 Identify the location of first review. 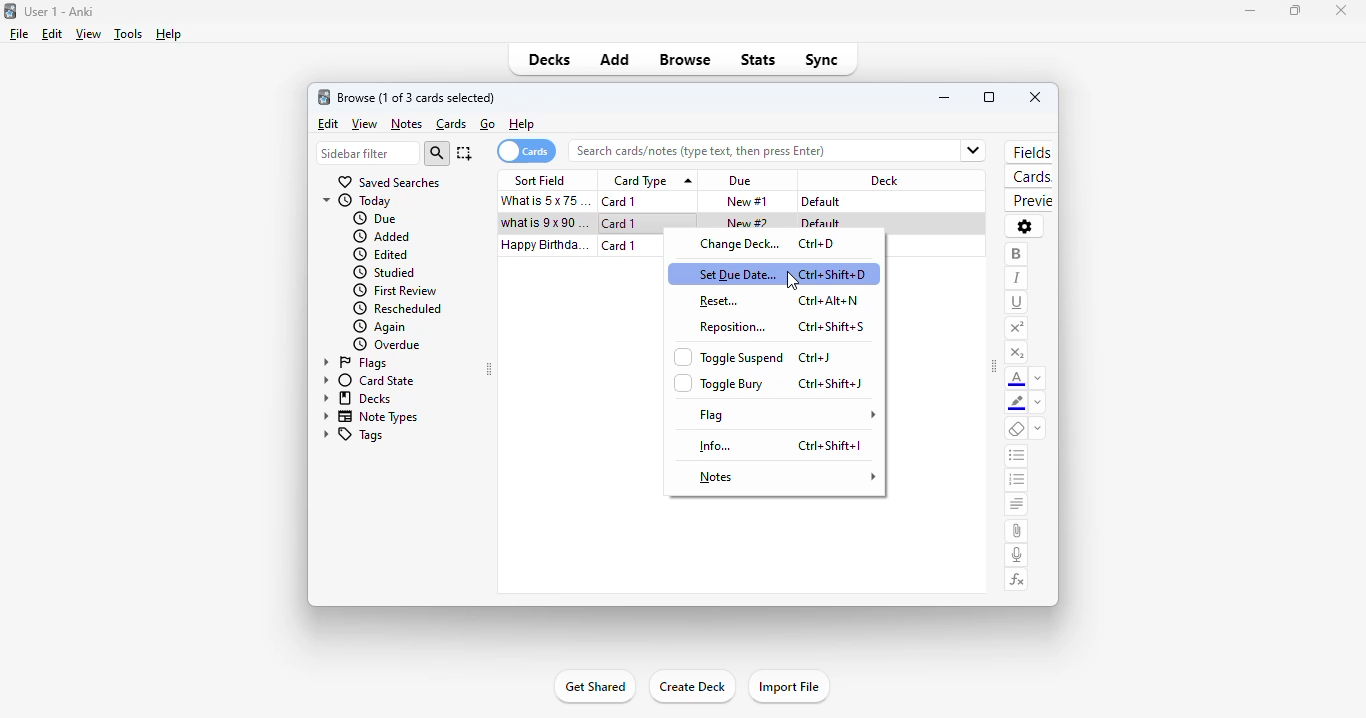
(394, 292).